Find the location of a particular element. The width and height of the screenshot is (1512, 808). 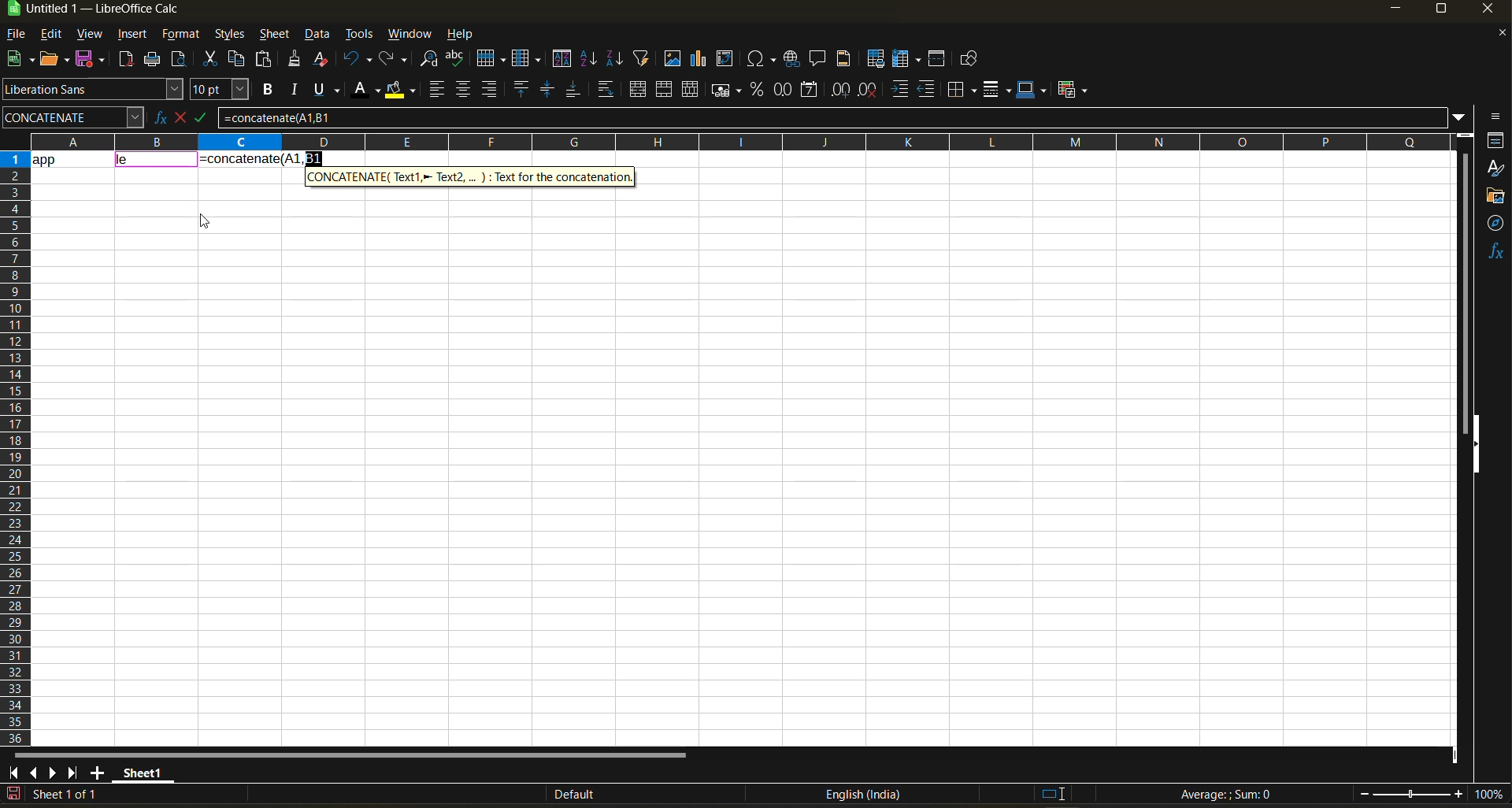

add sheet is located at coordinates (97, 773).